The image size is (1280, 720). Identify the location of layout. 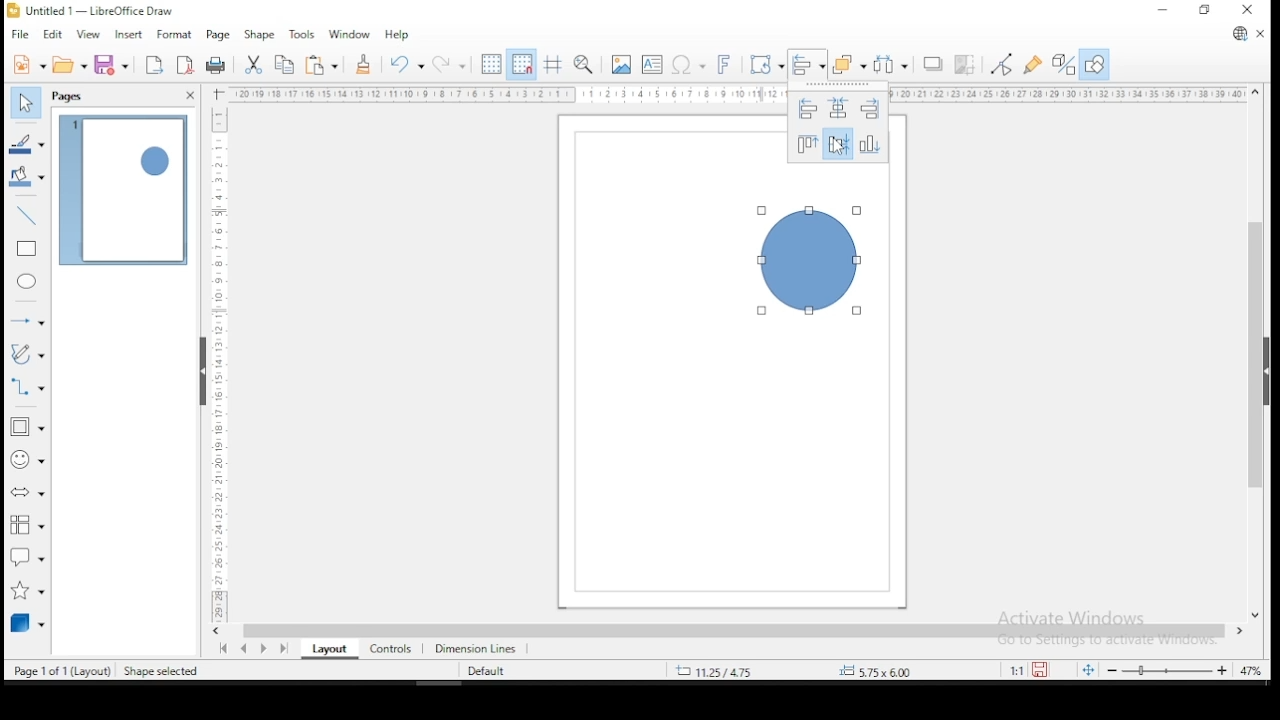
(326, 649).